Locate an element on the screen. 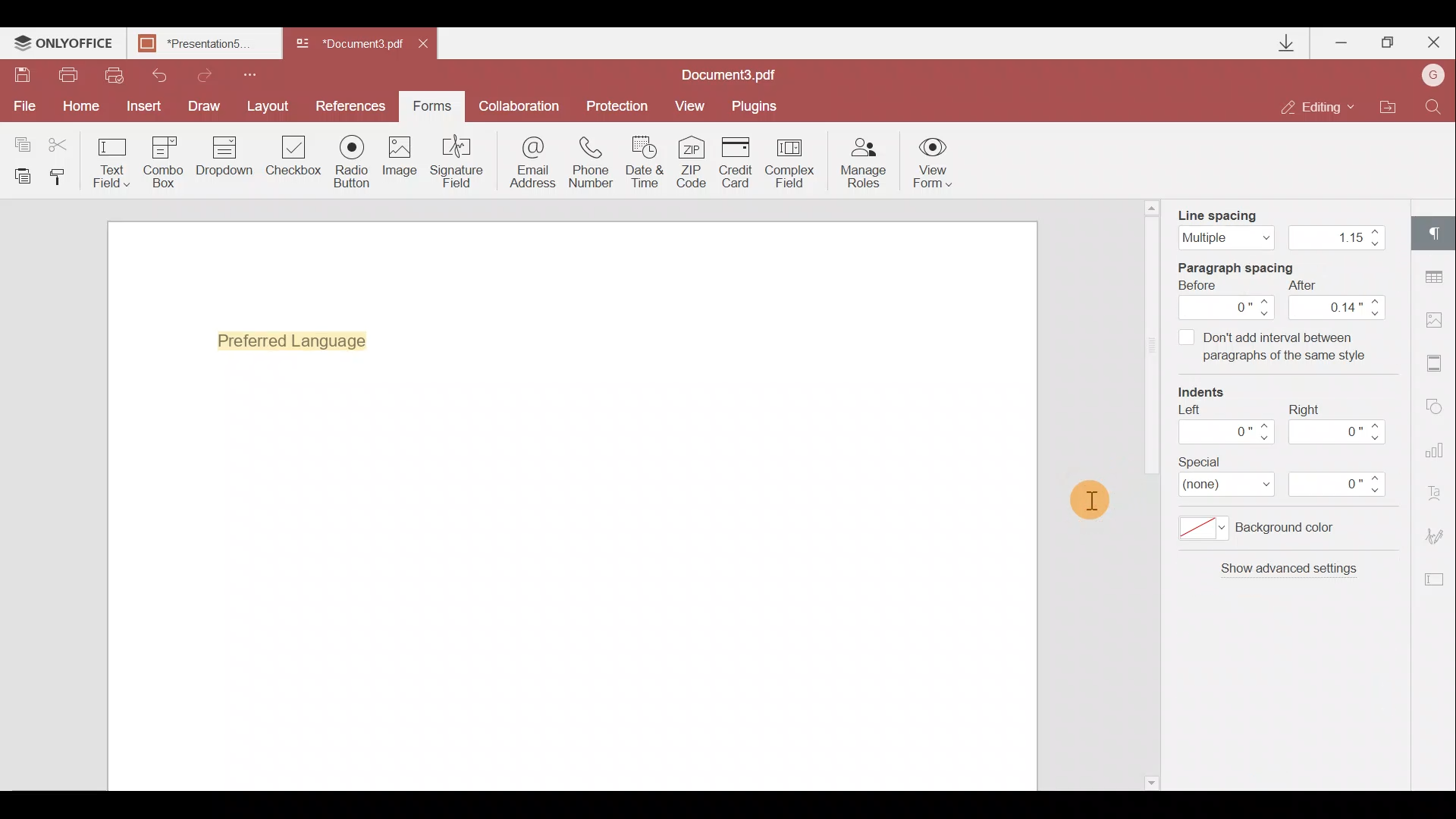  Insert is located at coordinates (140, 103).